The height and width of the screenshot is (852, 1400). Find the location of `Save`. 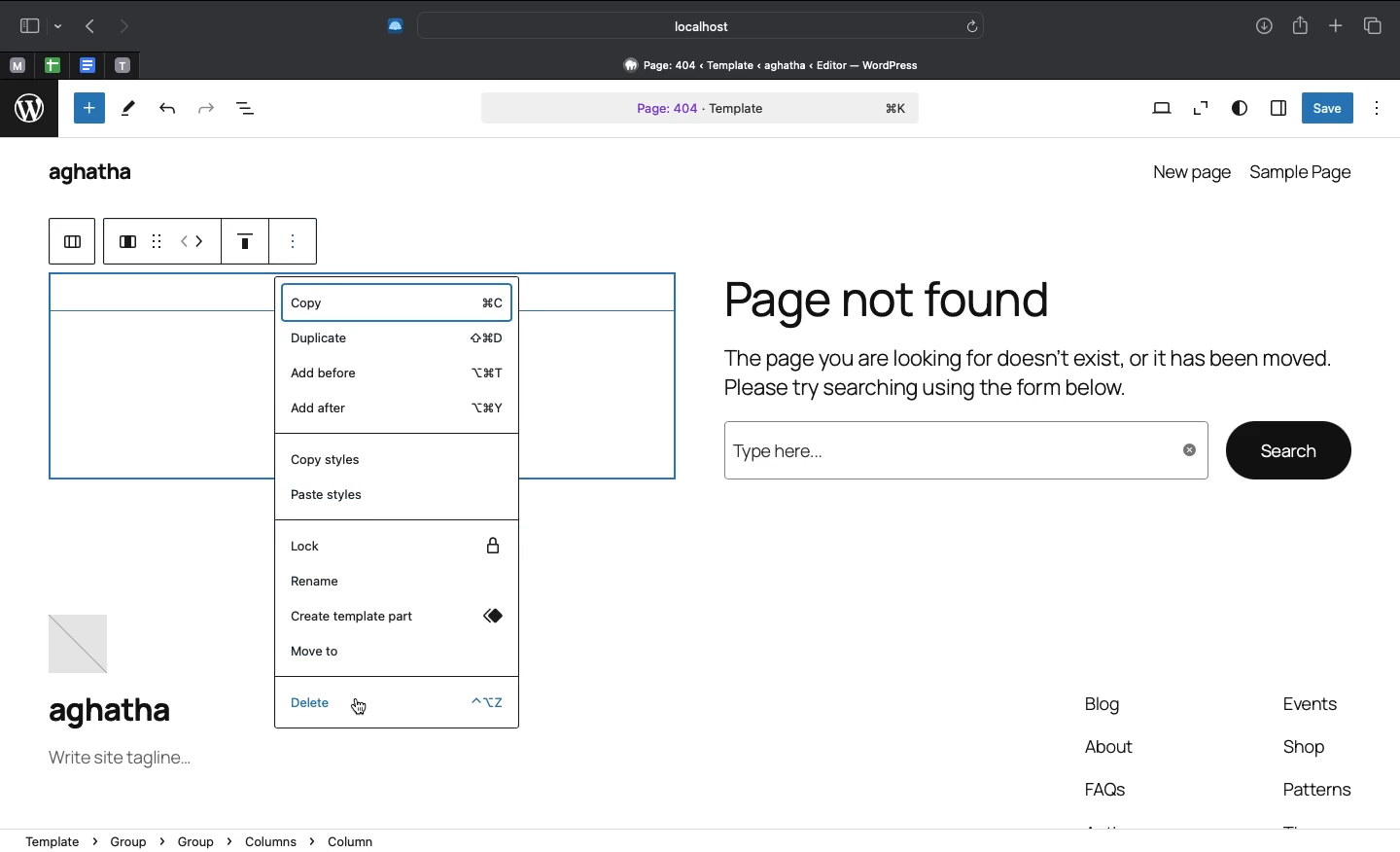

Save is located at coordinates (1328, 108).